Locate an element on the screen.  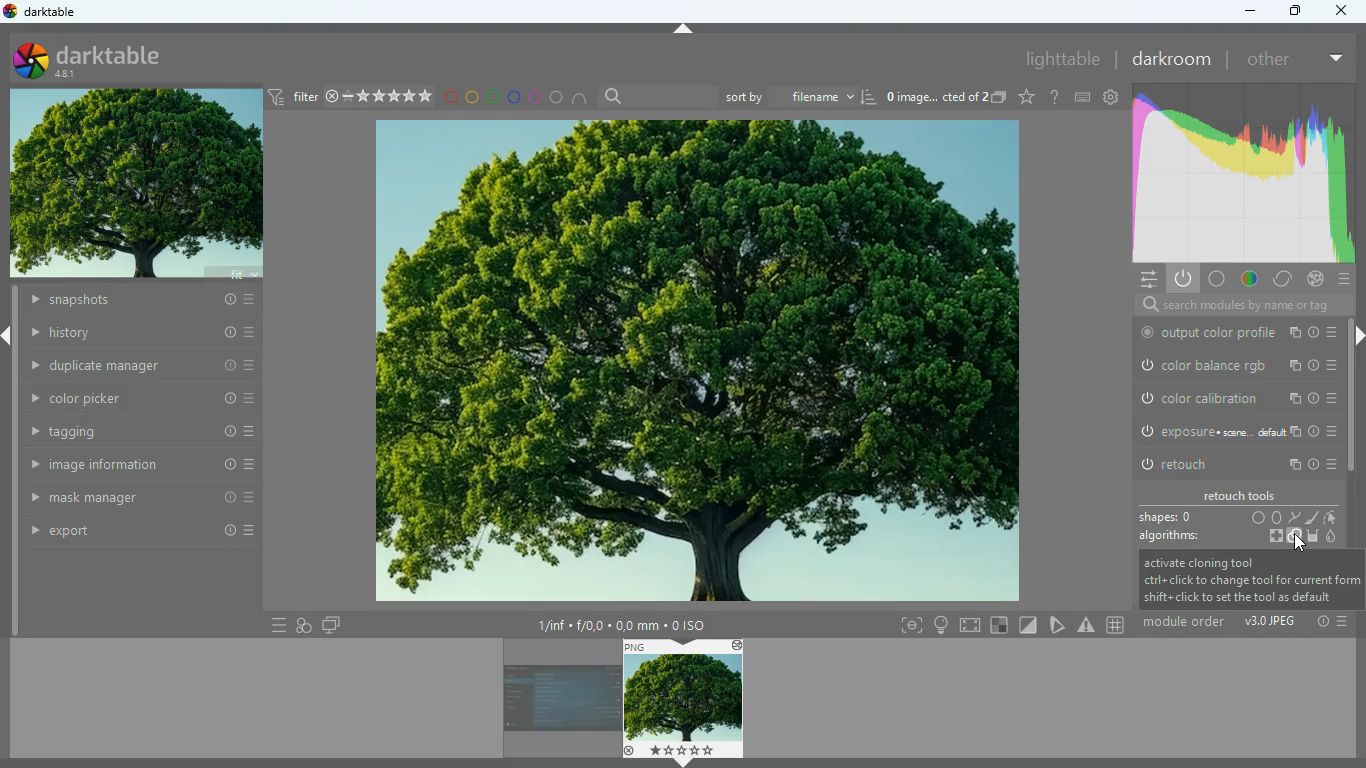
image type is located at coordinates (1271, 622).